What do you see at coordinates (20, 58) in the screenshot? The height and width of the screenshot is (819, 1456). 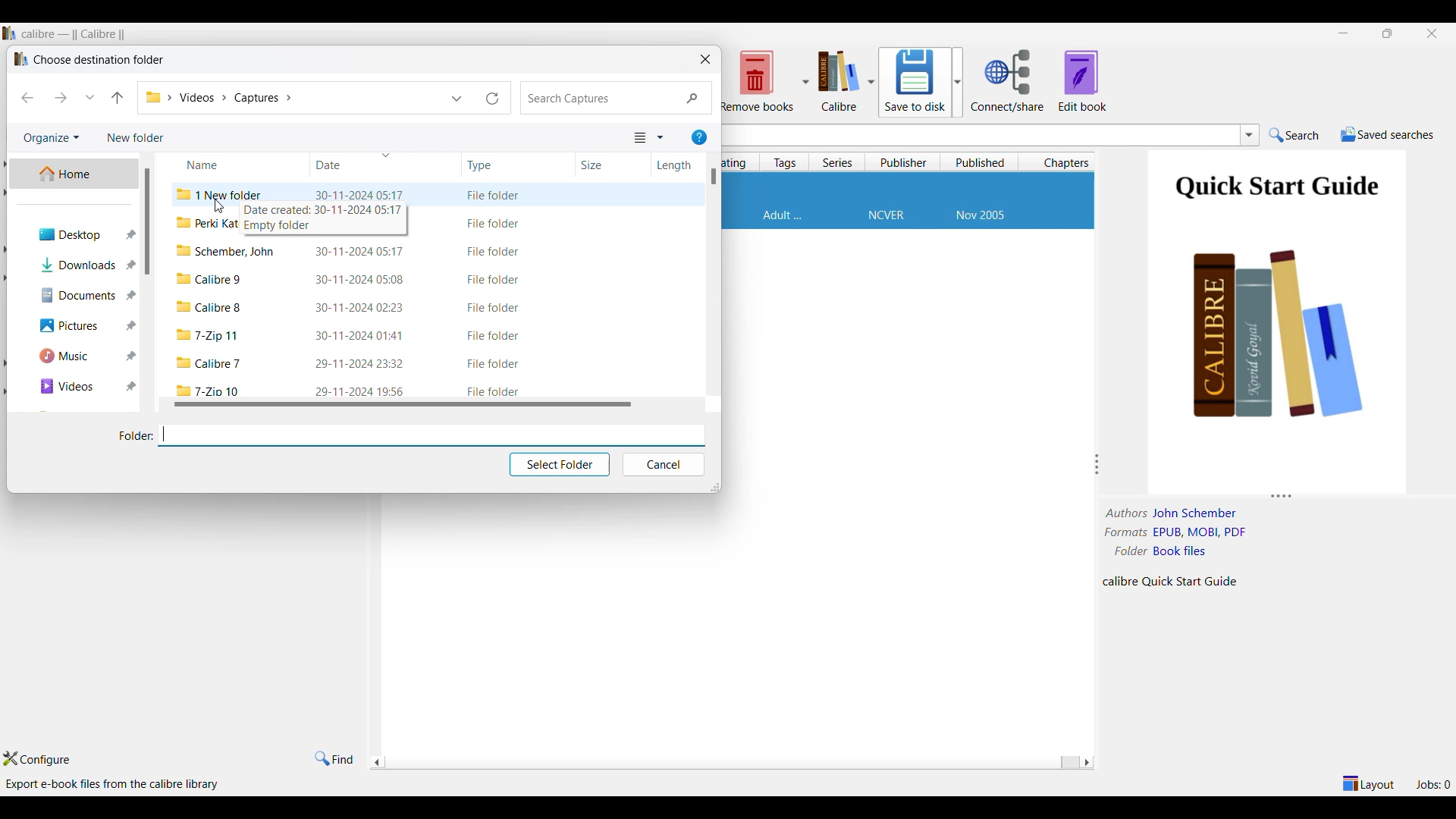 I see `logo` at bounding box center [20, 58].